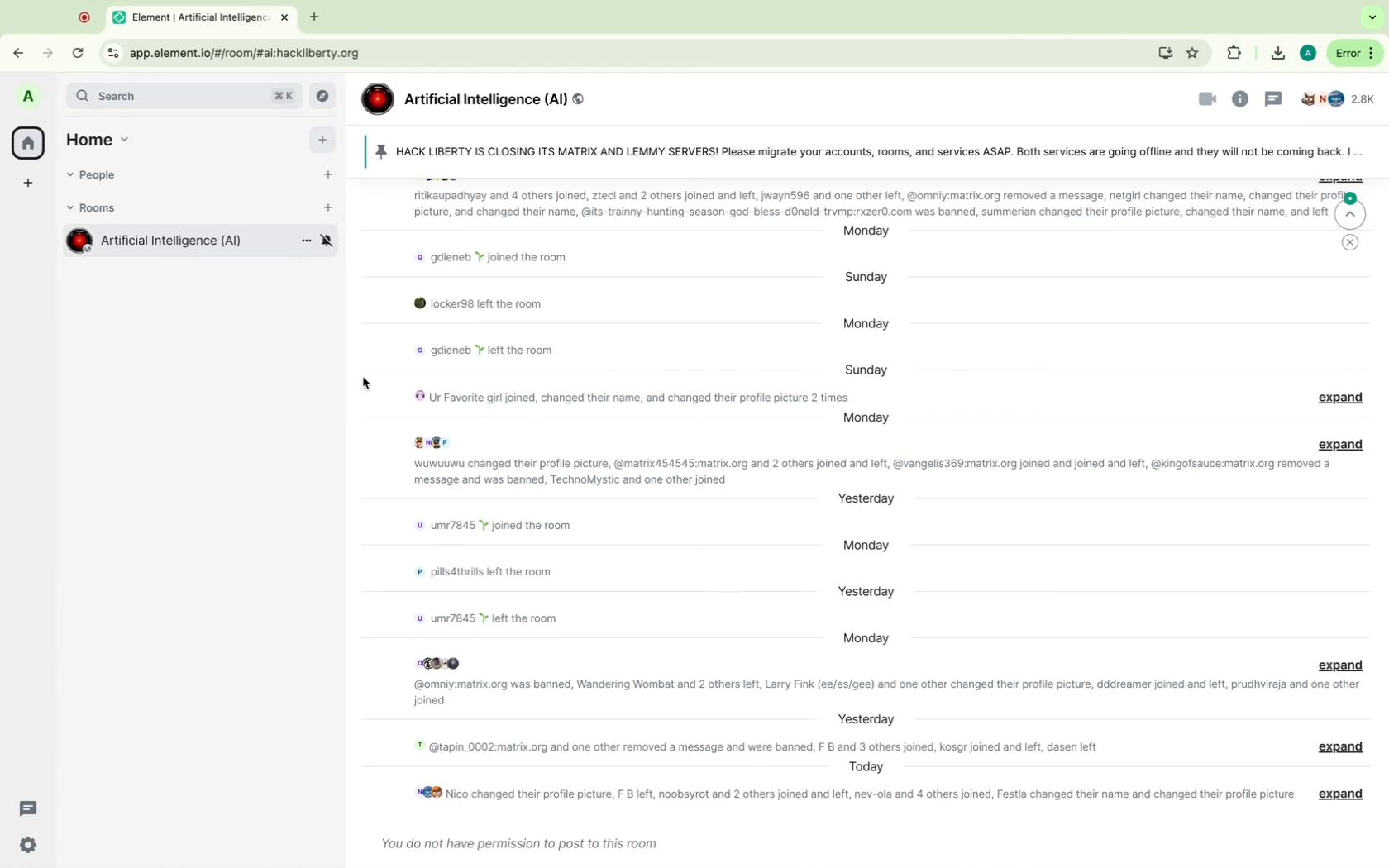 The image size is (1389, 868). Describe the element at coordinates (868, 498) in the screenshot. I see `day` at that location.